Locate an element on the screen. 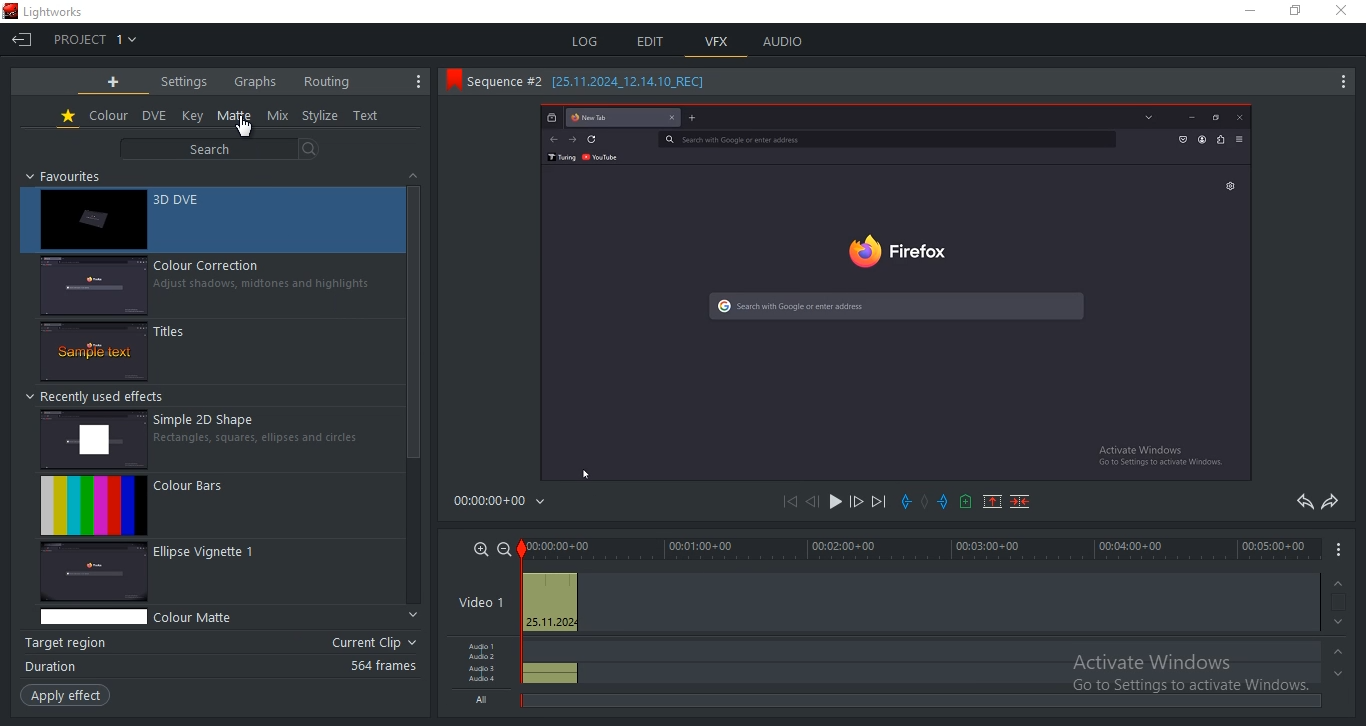 This screenshot has width=1366, height=726. remove a marked section is located at coordinates (990, 500).